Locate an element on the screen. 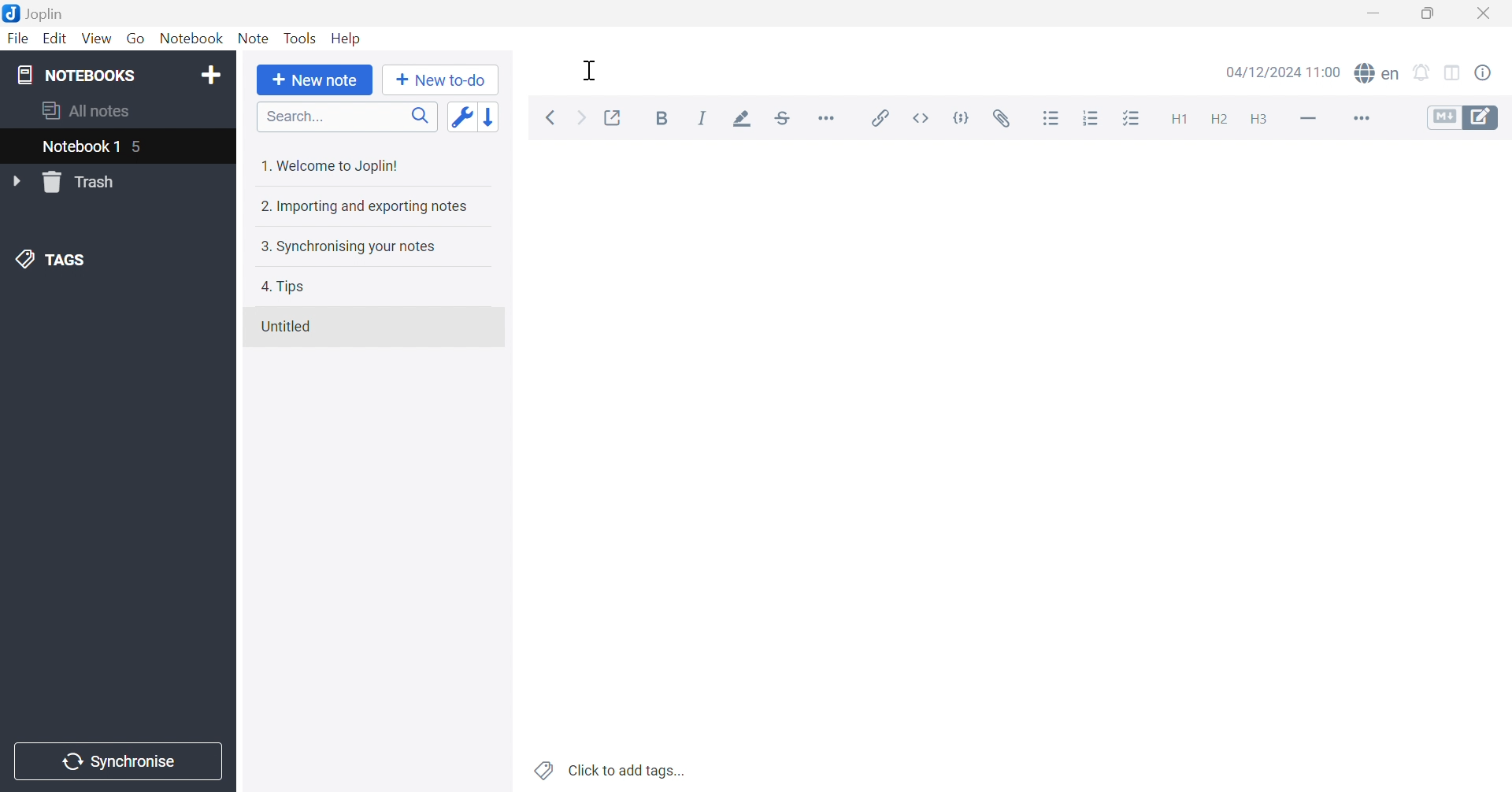 Image resolution: width=1512 pixels, height=792 pixels. Notebook 1 is located at coordinates (79, 148).